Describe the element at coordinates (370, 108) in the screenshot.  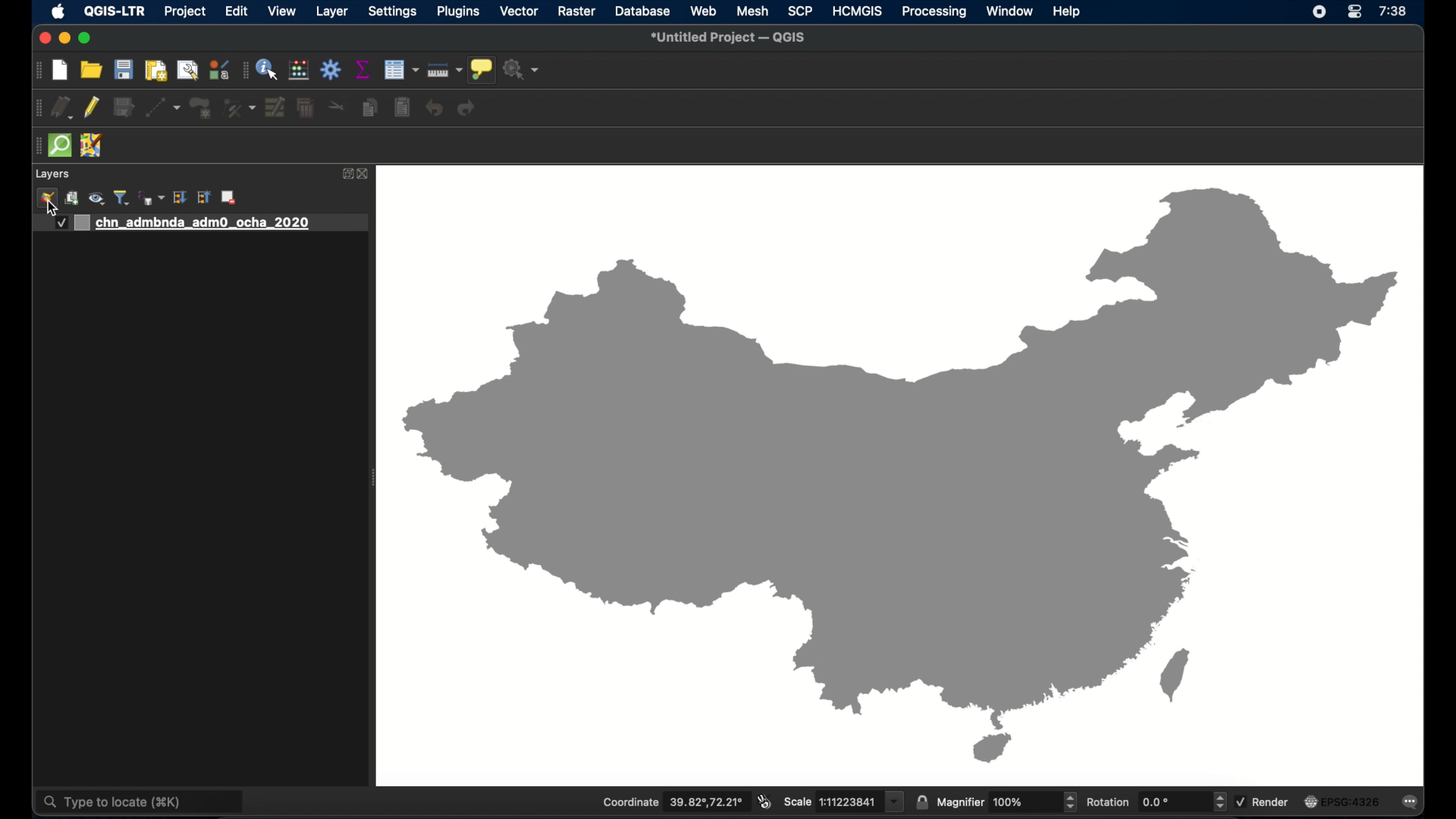
I see `copy` at that location.